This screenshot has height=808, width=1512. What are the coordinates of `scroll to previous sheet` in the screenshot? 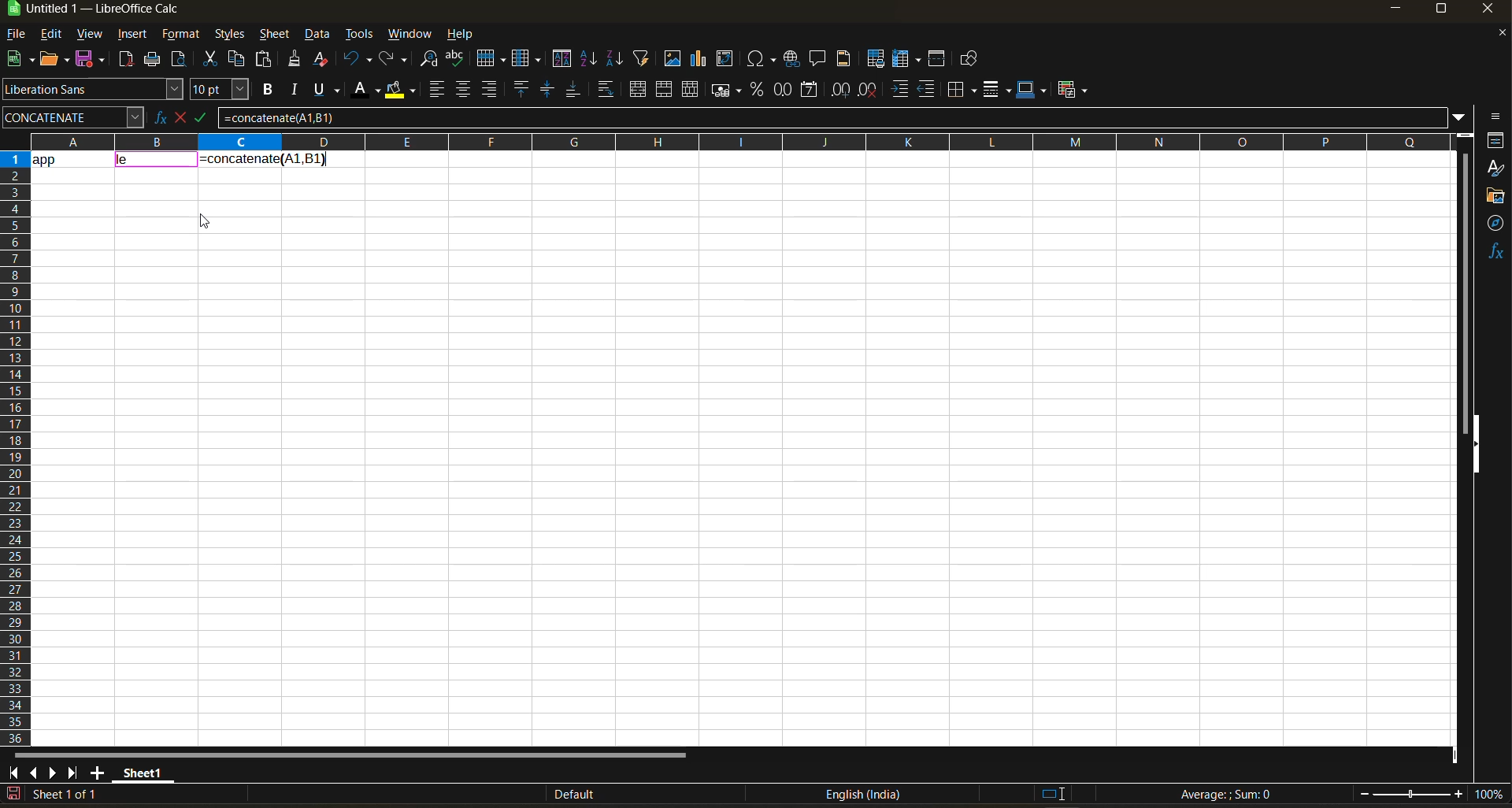 It's located at (34, 772).